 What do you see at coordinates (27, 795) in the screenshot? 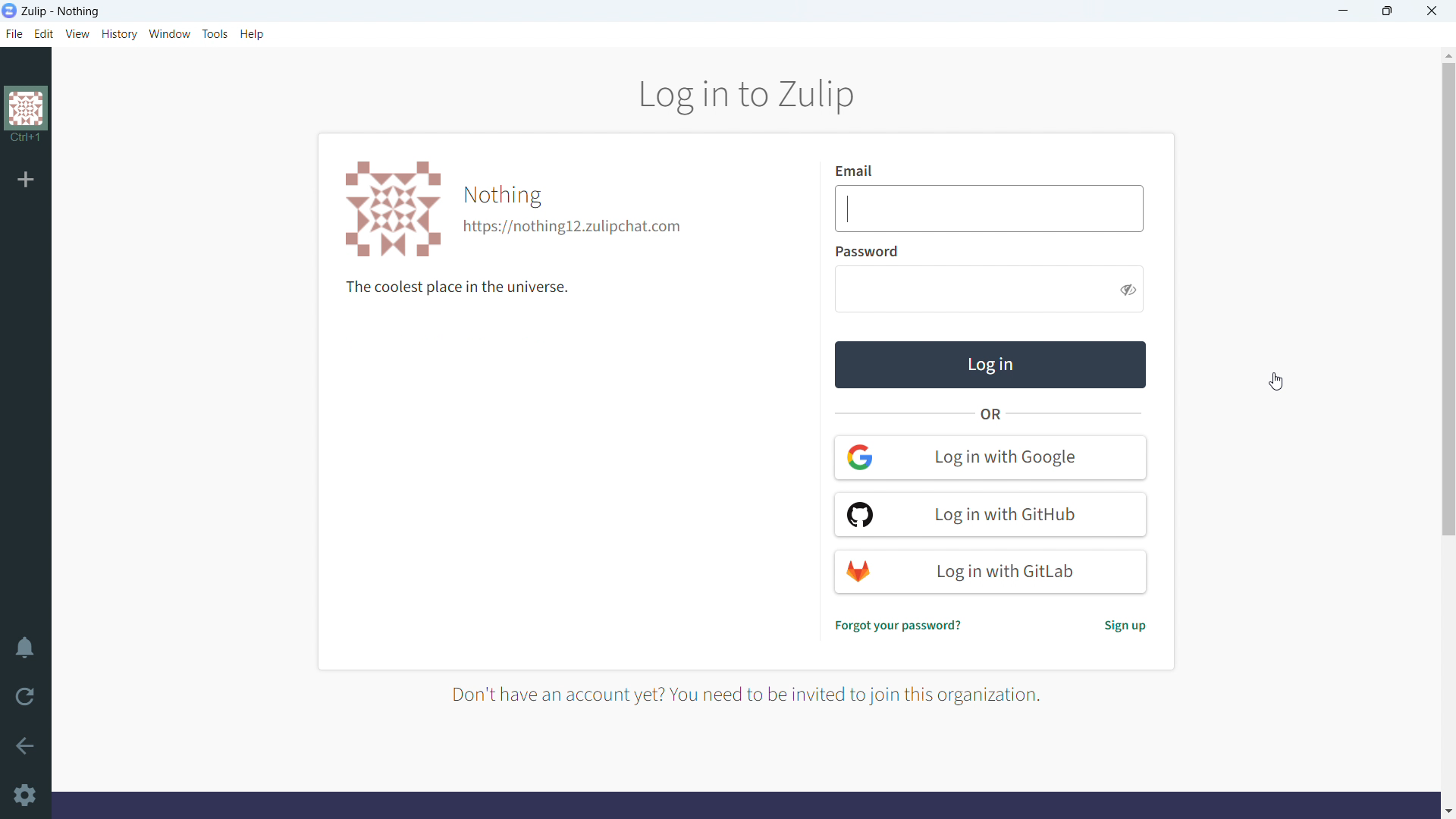
I see `settings` at bounding box center [27, 795].